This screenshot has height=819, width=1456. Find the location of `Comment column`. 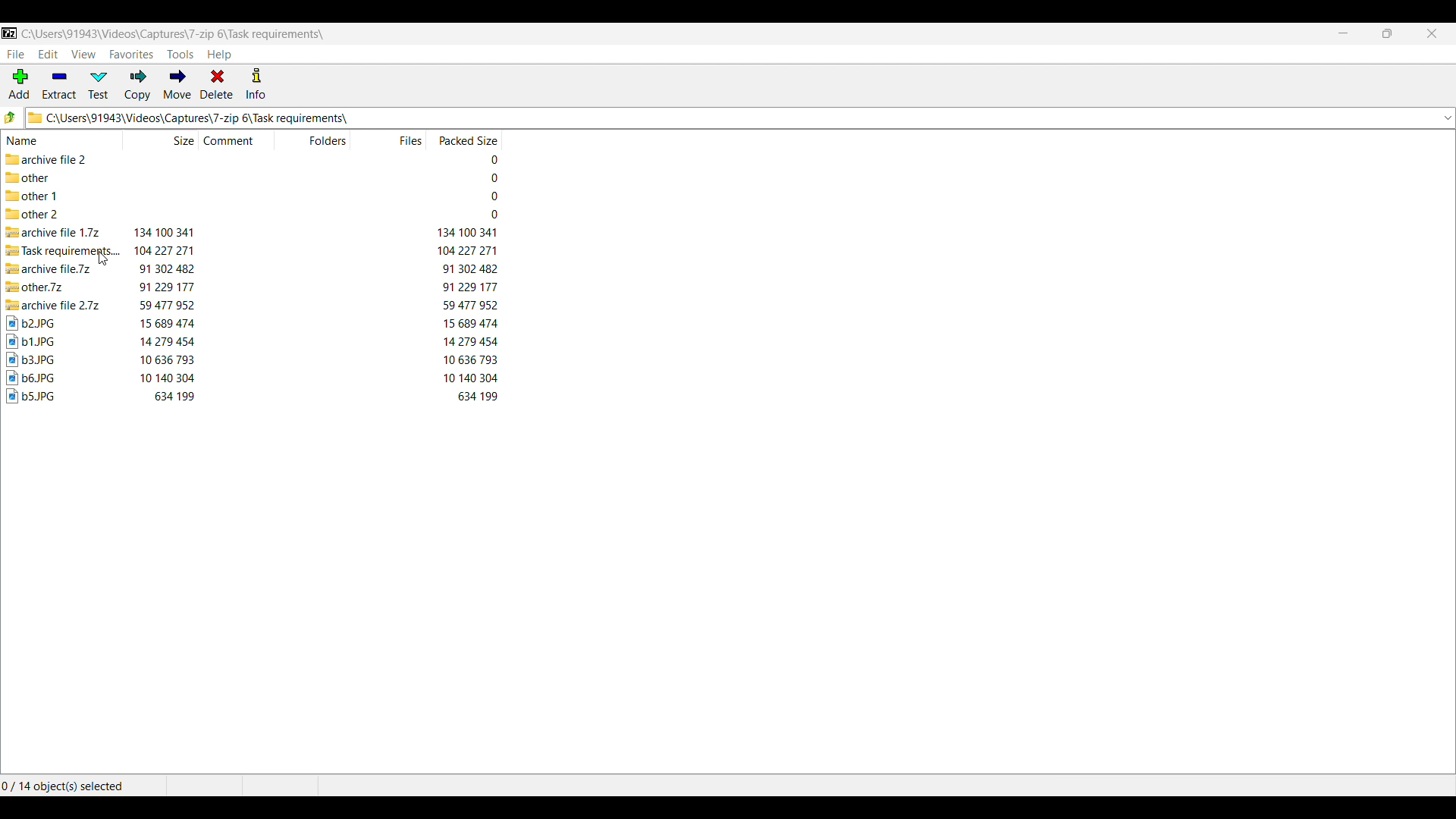

Comment column is located at coordinates (237, 140).